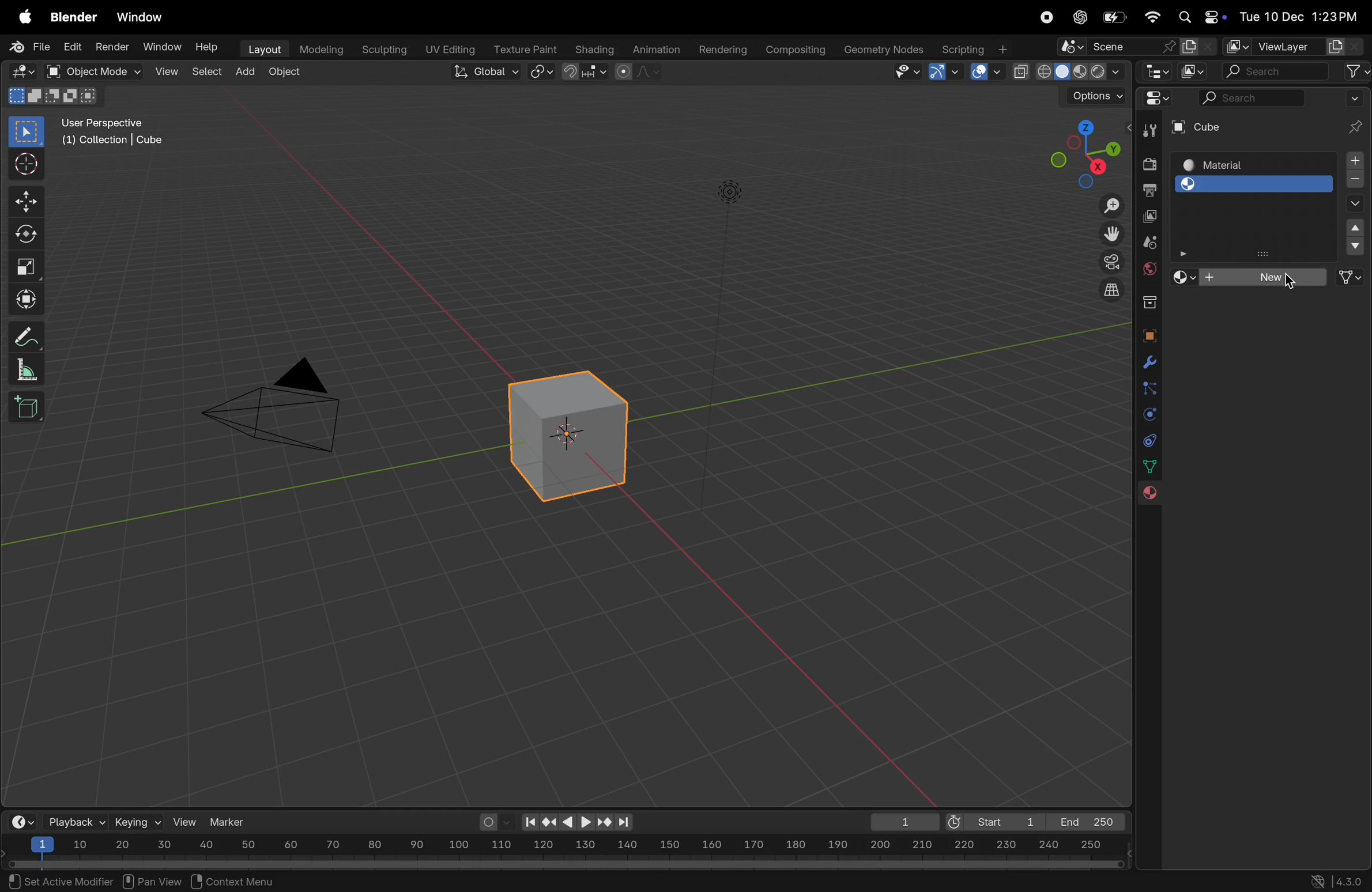  What do you see at coordinates (18, 70) in the screenshot?
I see `editor type` at bounding box center [18, 70].